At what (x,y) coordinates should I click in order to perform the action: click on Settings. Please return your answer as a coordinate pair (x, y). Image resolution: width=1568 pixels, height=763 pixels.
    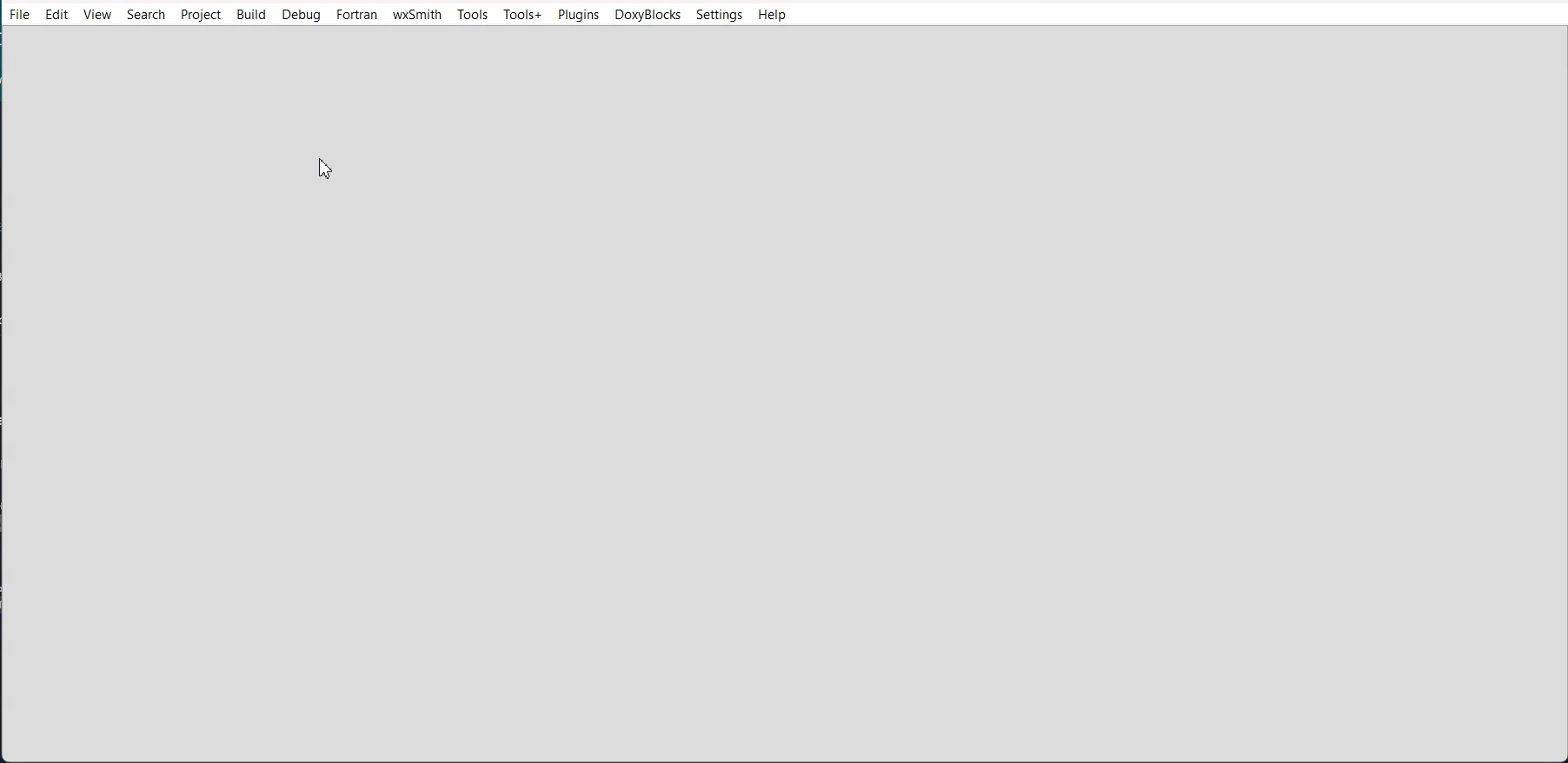
    Looking at the image, I should click on (719, 15).